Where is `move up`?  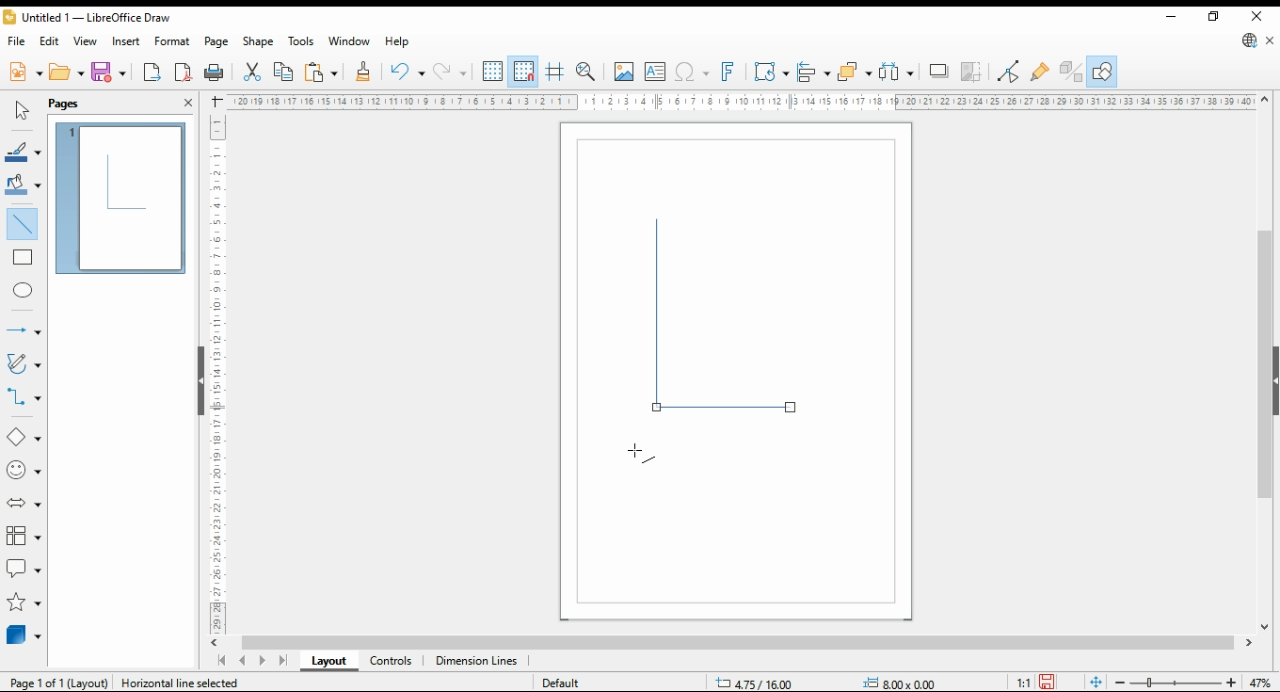
move up is located at coordinates (1266, 100).